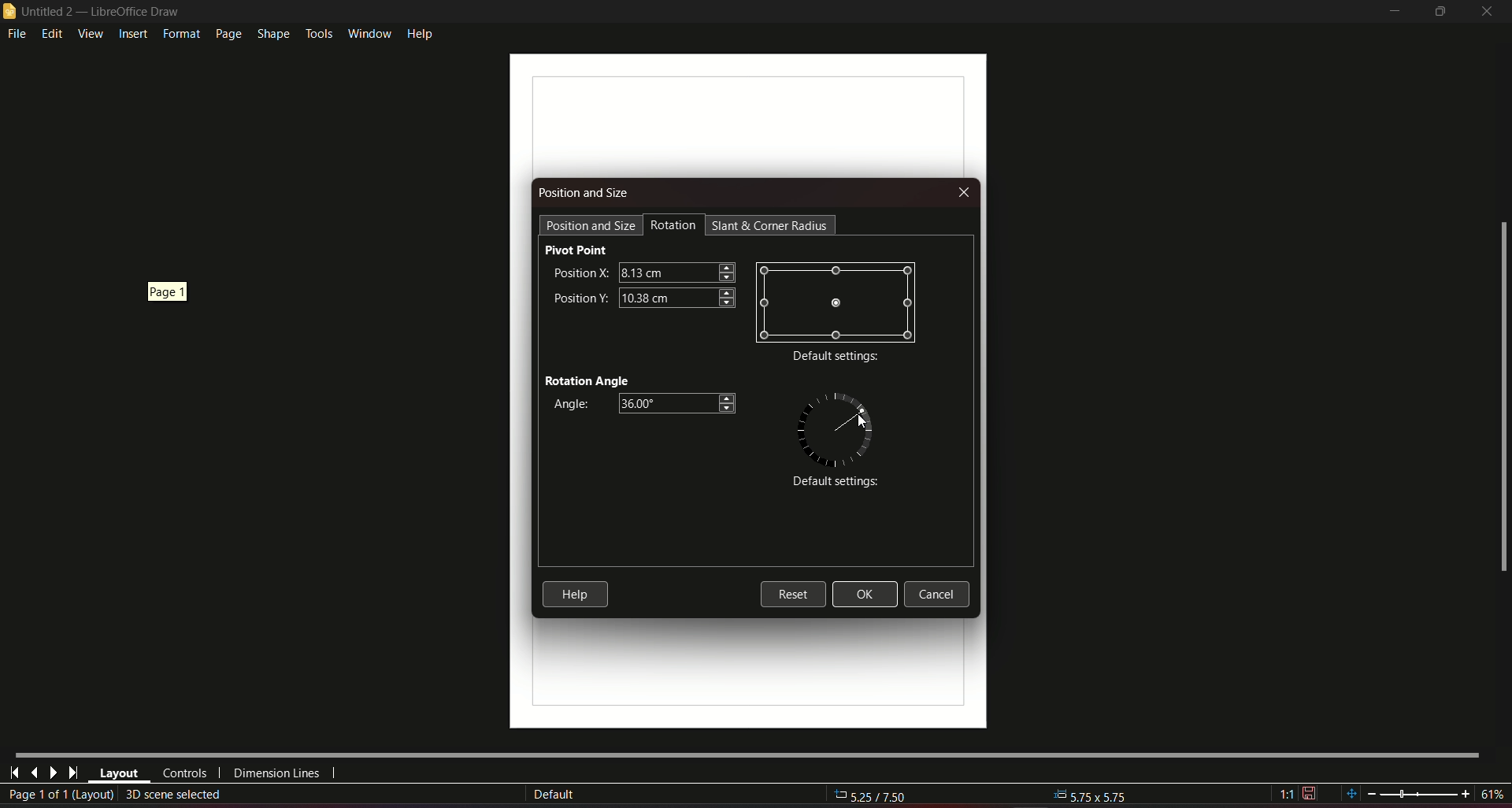  Describe the element at coordinates (861, 422) in the screenshot. I see `Cursor` at that location.